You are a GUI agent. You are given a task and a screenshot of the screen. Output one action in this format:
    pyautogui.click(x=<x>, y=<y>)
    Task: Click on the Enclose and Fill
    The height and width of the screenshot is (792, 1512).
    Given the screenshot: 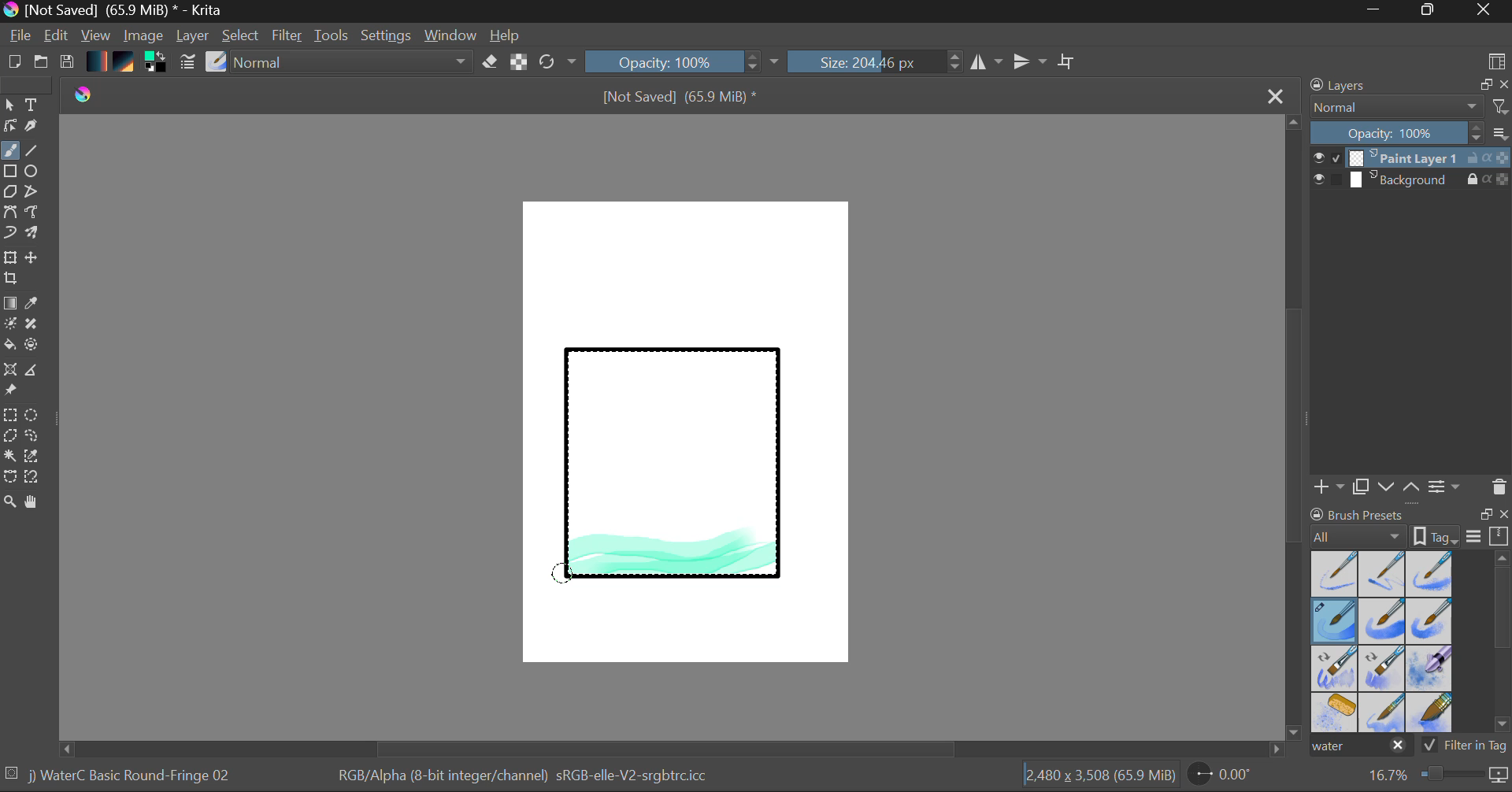 What is the action you would take?
    pyautogui.click(x=35, y=346)
    